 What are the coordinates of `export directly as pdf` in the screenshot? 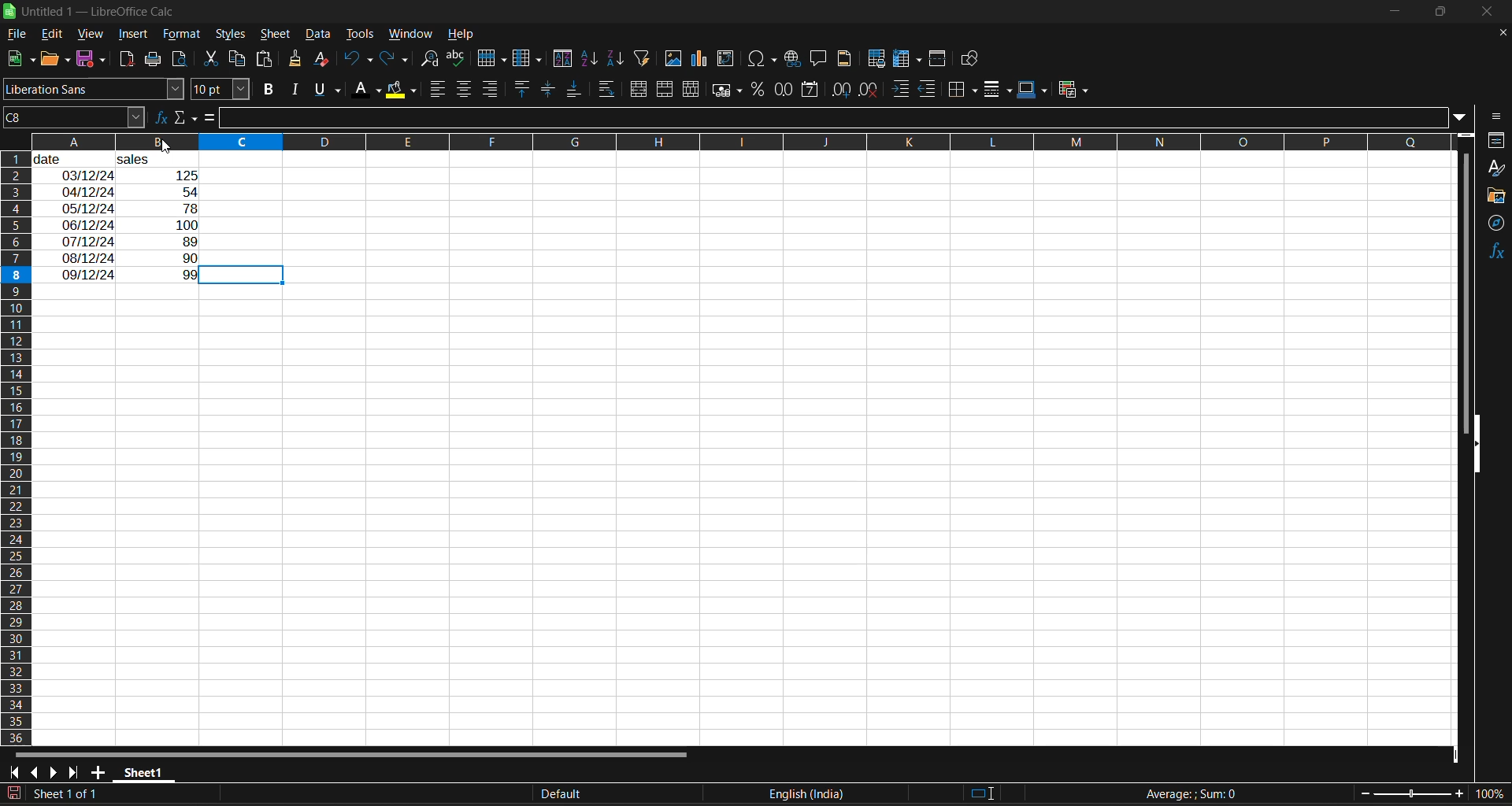 It's located at (128, 59).